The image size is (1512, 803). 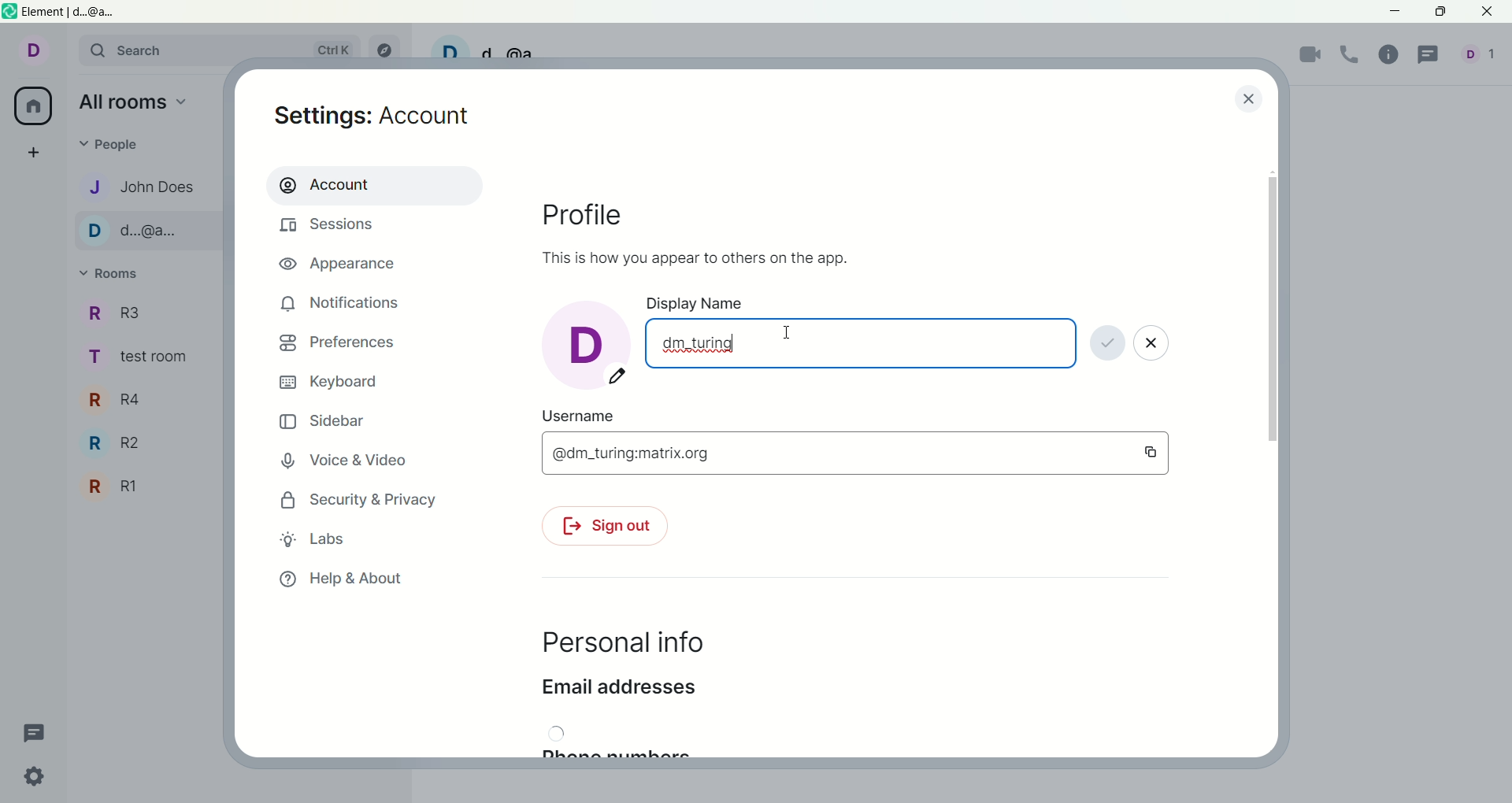 What do you see at coordinates (341, 580) in the screenshot?
I see `help and about` at bounding box center [341, 580].